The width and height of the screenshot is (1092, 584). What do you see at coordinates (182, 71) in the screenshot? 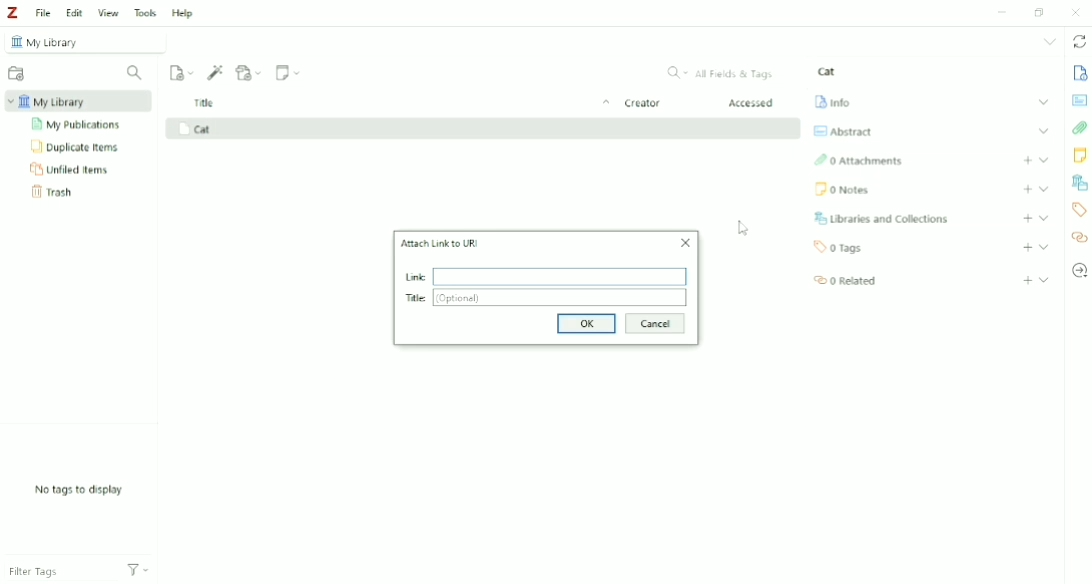
I see `New Item` at bounding box center [182, 71].